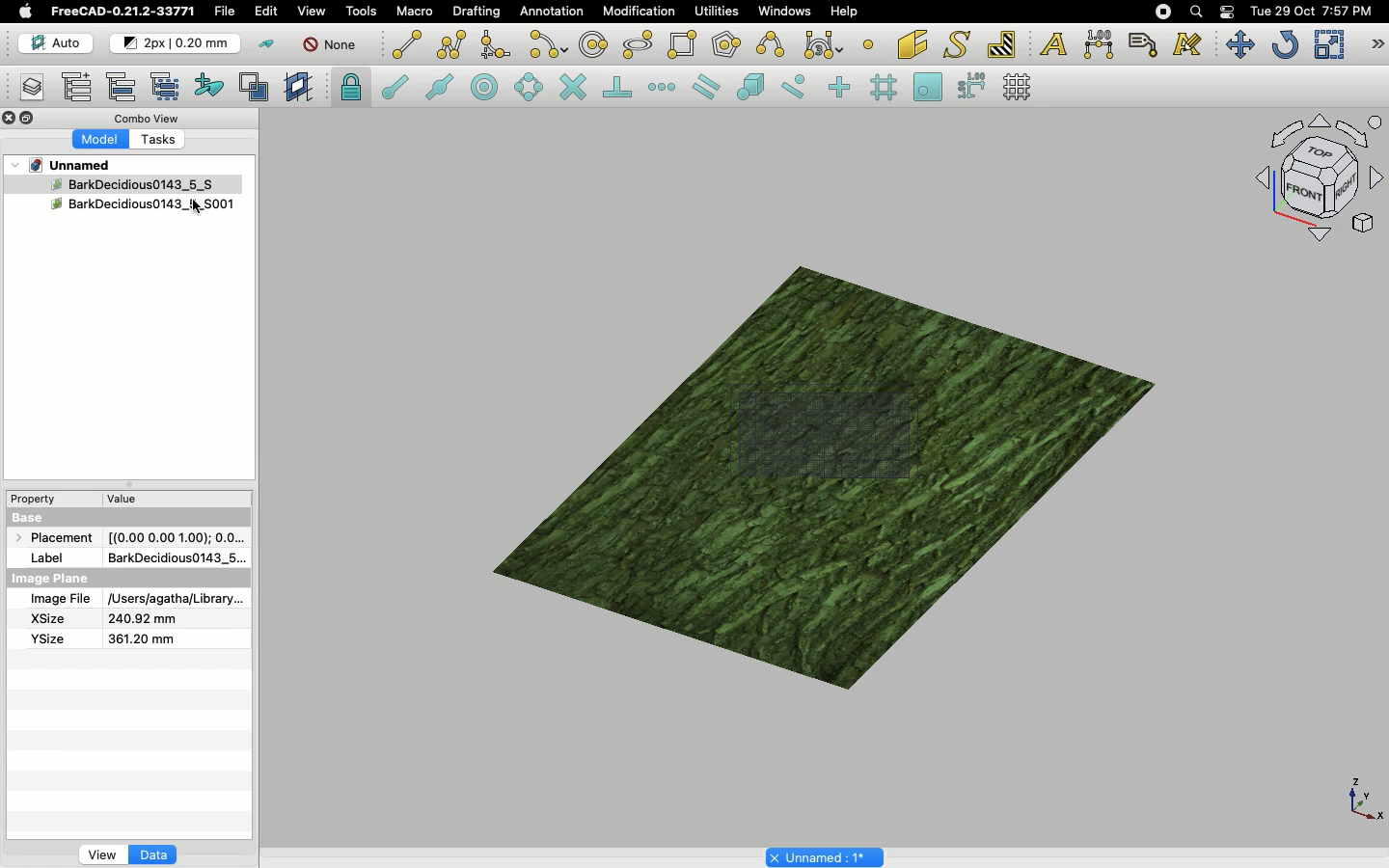 The width and height of the screenshot is (1389, 868). What do you see at coordinates (395, 90) in the screenshot?
I see `Snap endpoint` at bounding box center [395, 90].